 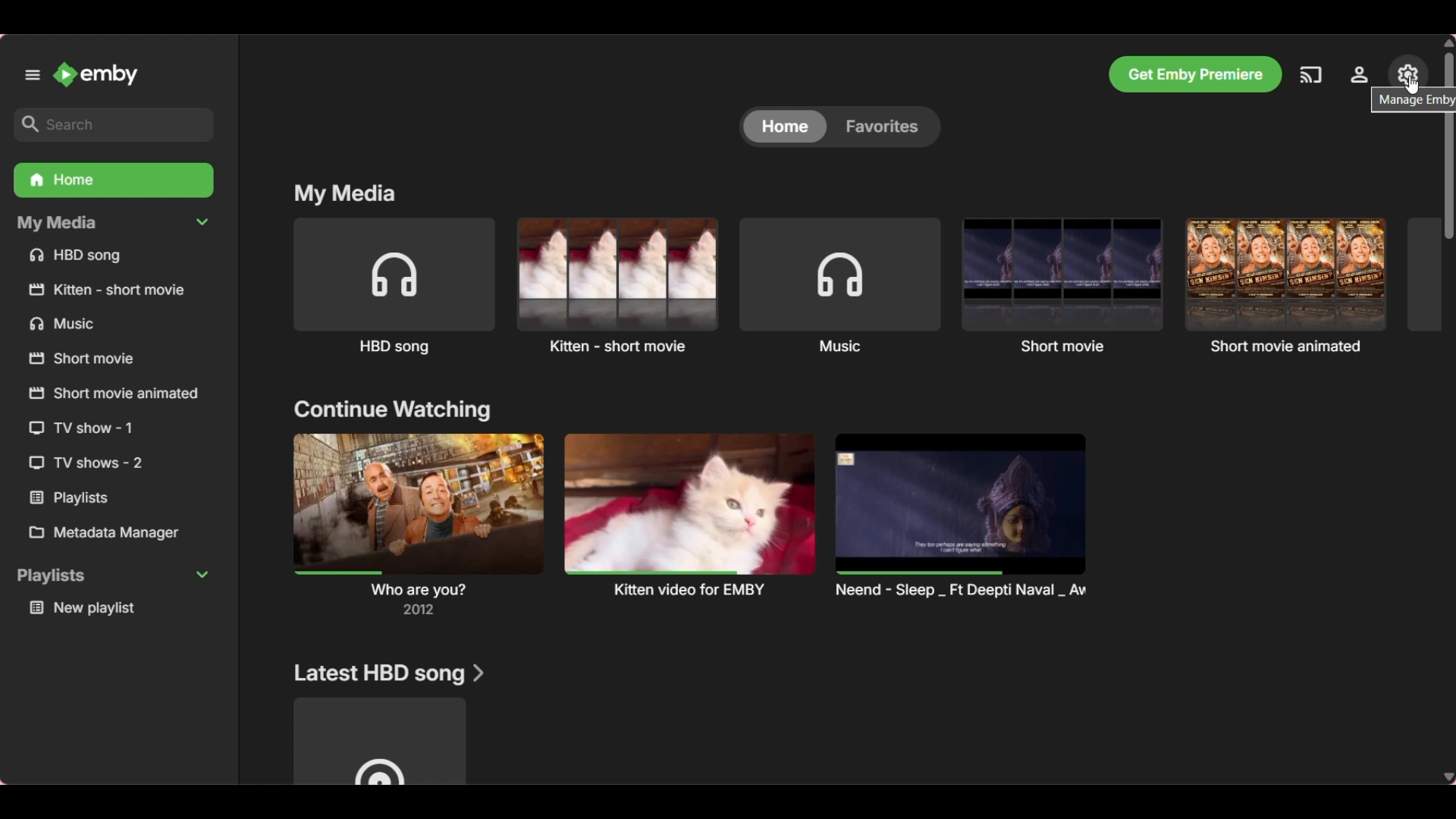 What do you see at coordinates (113, 125) in the screenshot?
I see `Search box` at bounding box center [113, 125].